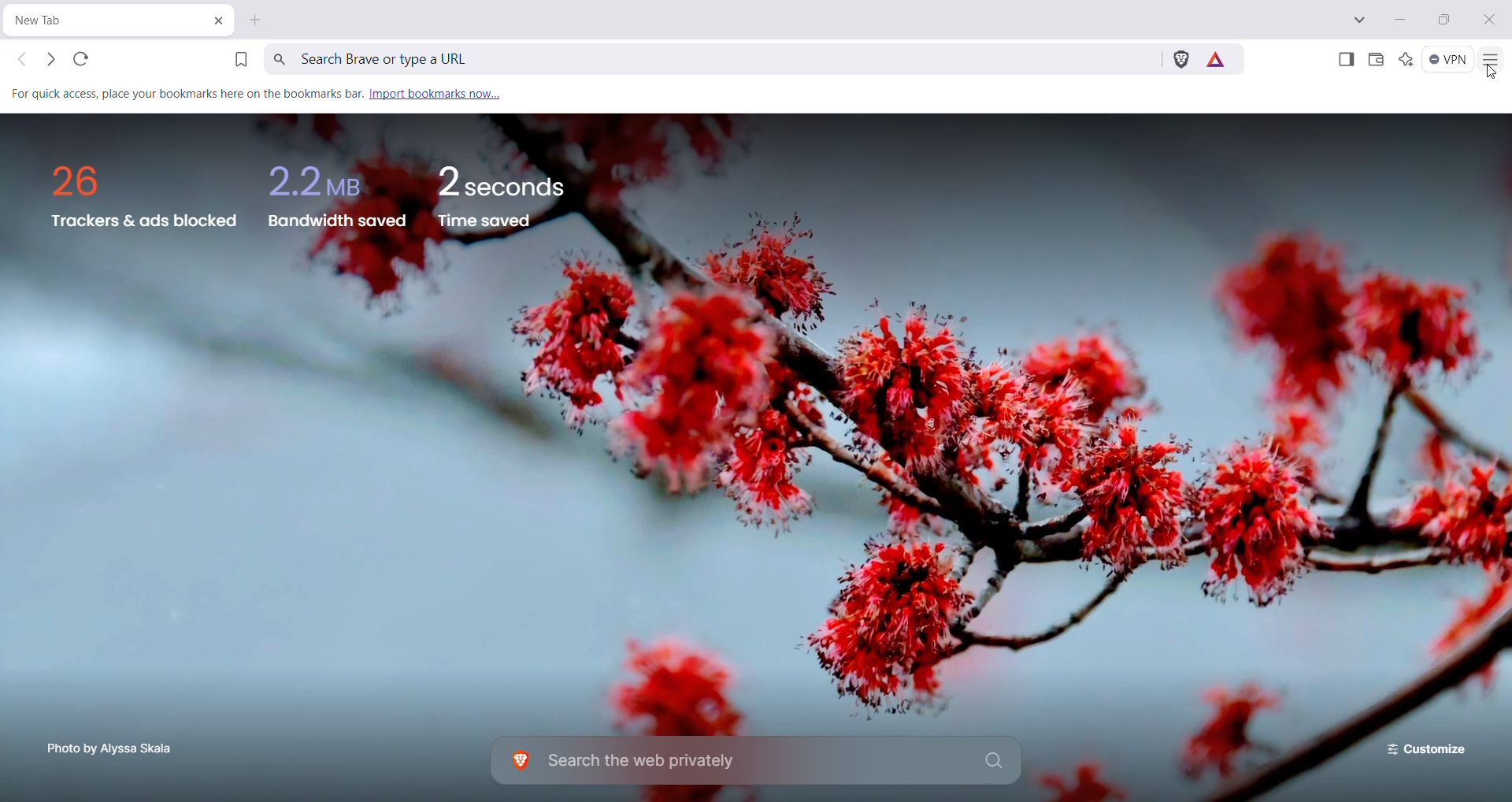  Describe the element at coordinates (1217, 59) in the screenshot. I see `Earn tokens for private Ads you see on Brave` at that location.